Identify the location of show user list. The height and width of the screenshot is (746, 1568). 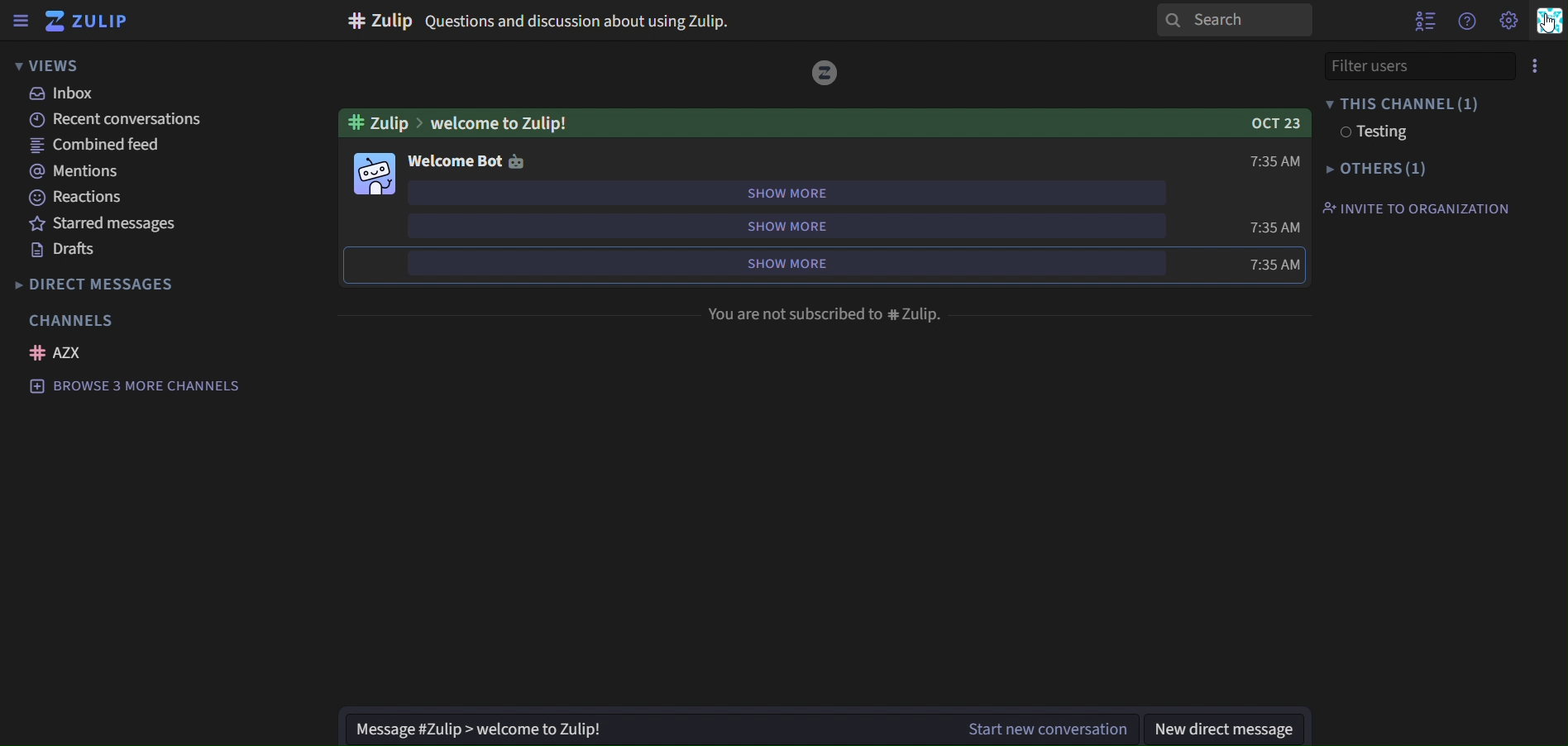
(1422, 22).